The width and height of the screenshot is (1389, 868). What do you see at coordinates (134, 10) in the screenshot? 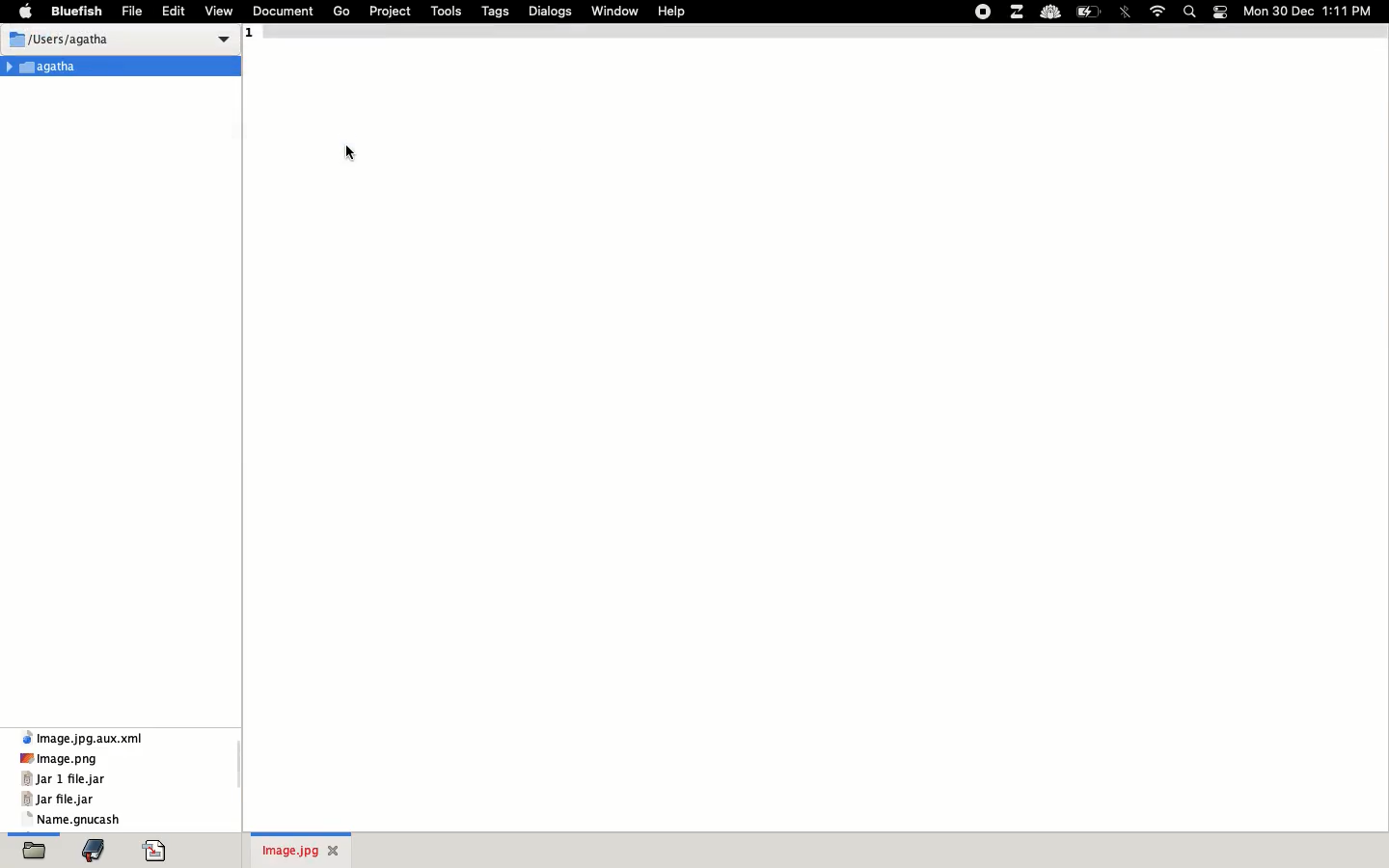
I see `file` at bounding box center [134, 10].